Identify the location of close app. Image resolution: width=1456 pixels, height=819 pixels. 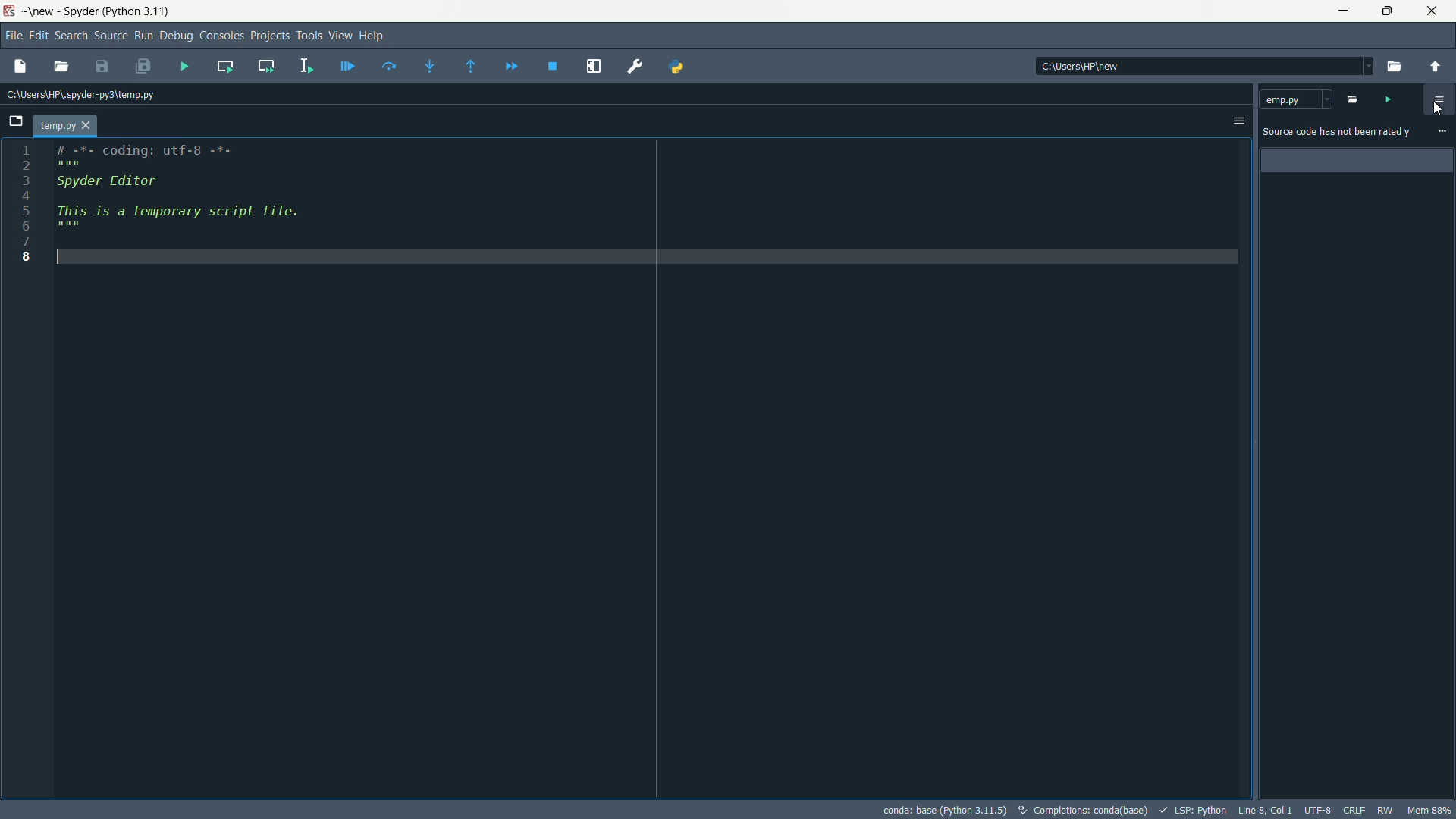
(1434, 11).